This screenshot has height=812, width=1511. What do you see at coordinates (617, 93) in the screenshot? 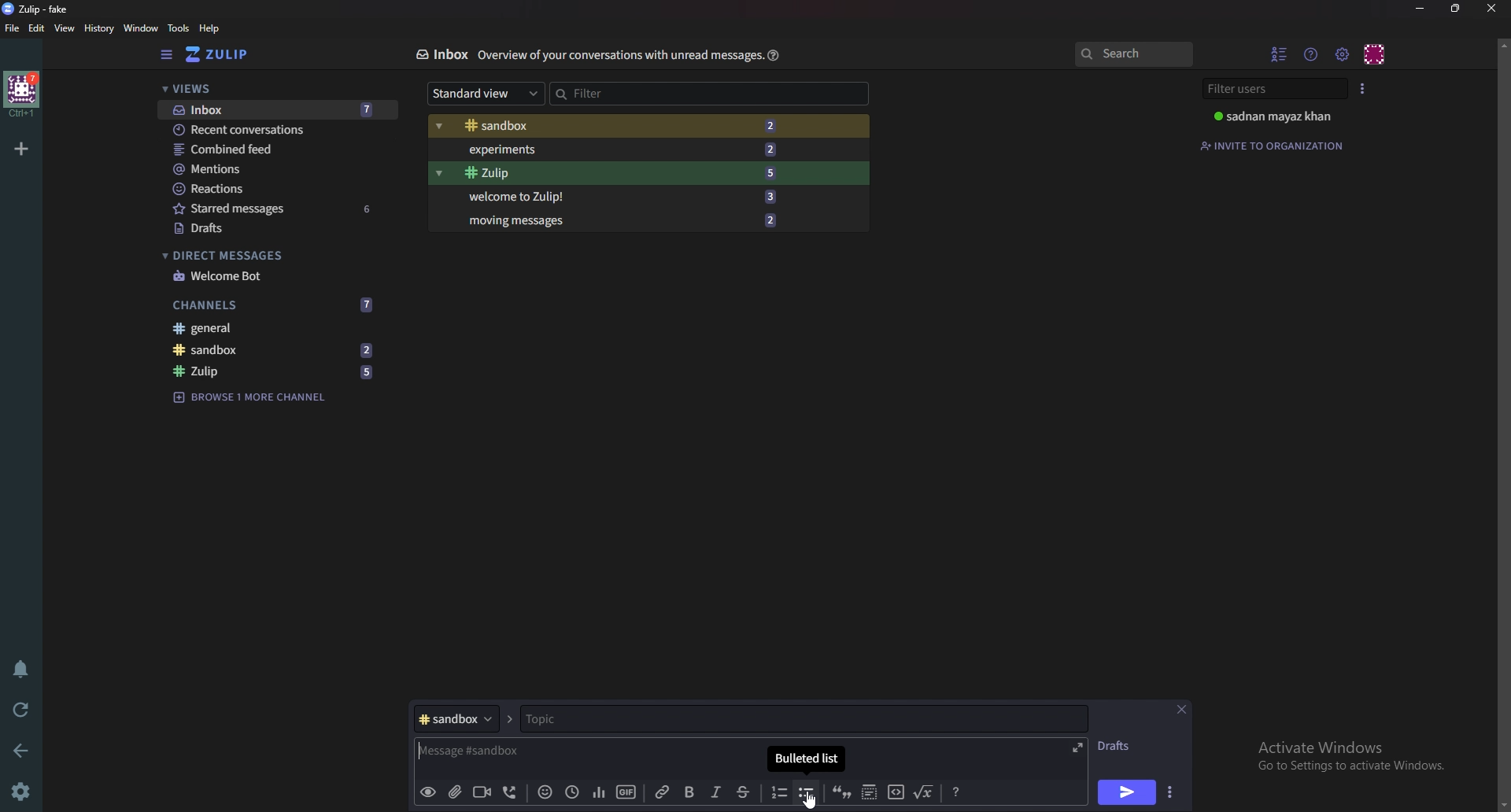
I see `Filter` at bounding box center [617, 93].